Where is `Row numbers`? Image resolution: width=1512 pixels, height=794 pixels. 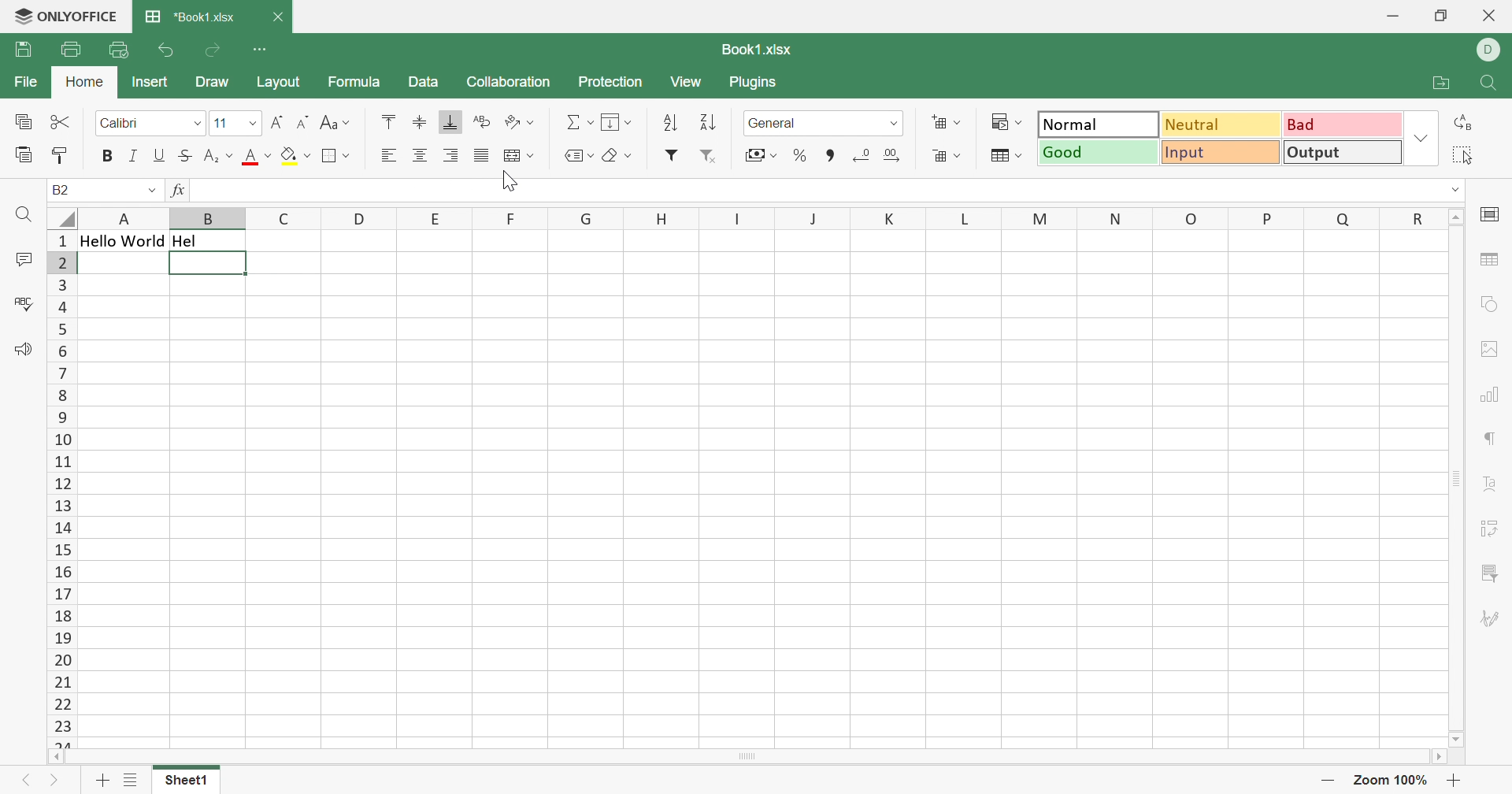 Row numbers is located at coordinates (62, 488).